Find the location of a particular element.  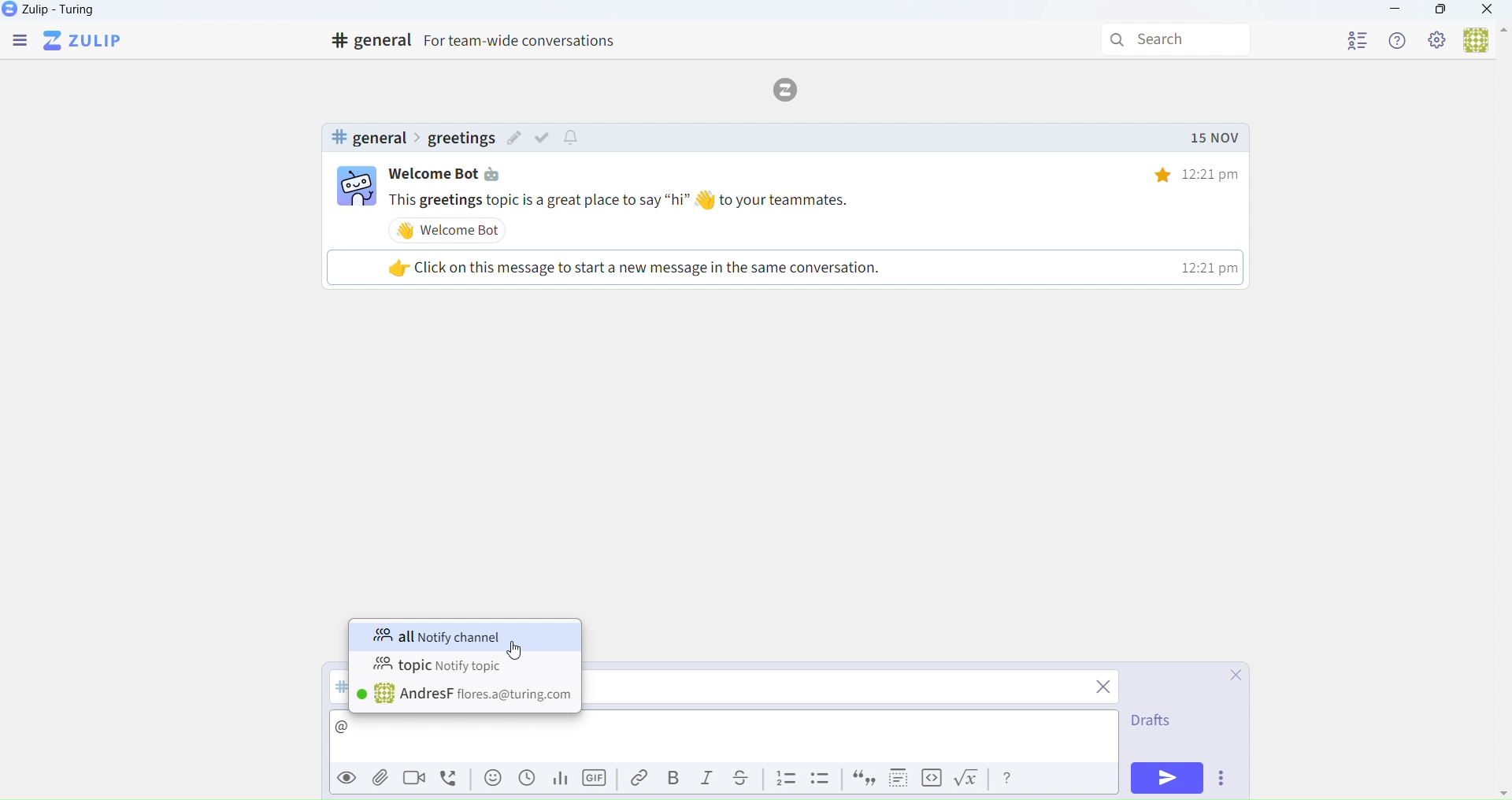

Snipet is located at coordinates (822, 781).